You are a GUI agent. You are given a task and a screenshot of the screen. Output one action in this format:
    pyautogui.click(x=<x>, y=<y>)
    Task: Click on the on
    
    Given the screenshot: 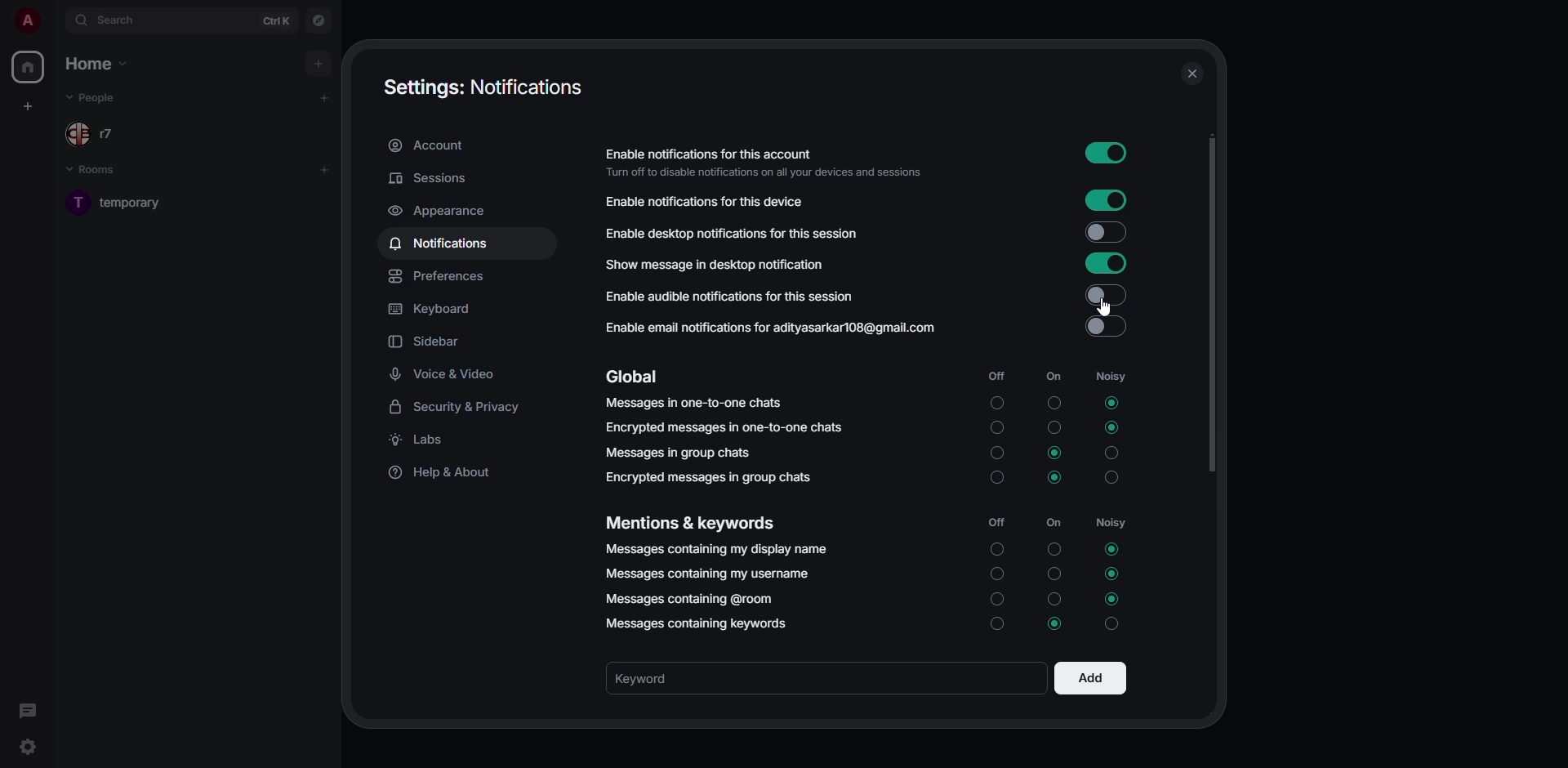 What is the action you would take?
    pyautogui.click(x=1053, y=572)
    